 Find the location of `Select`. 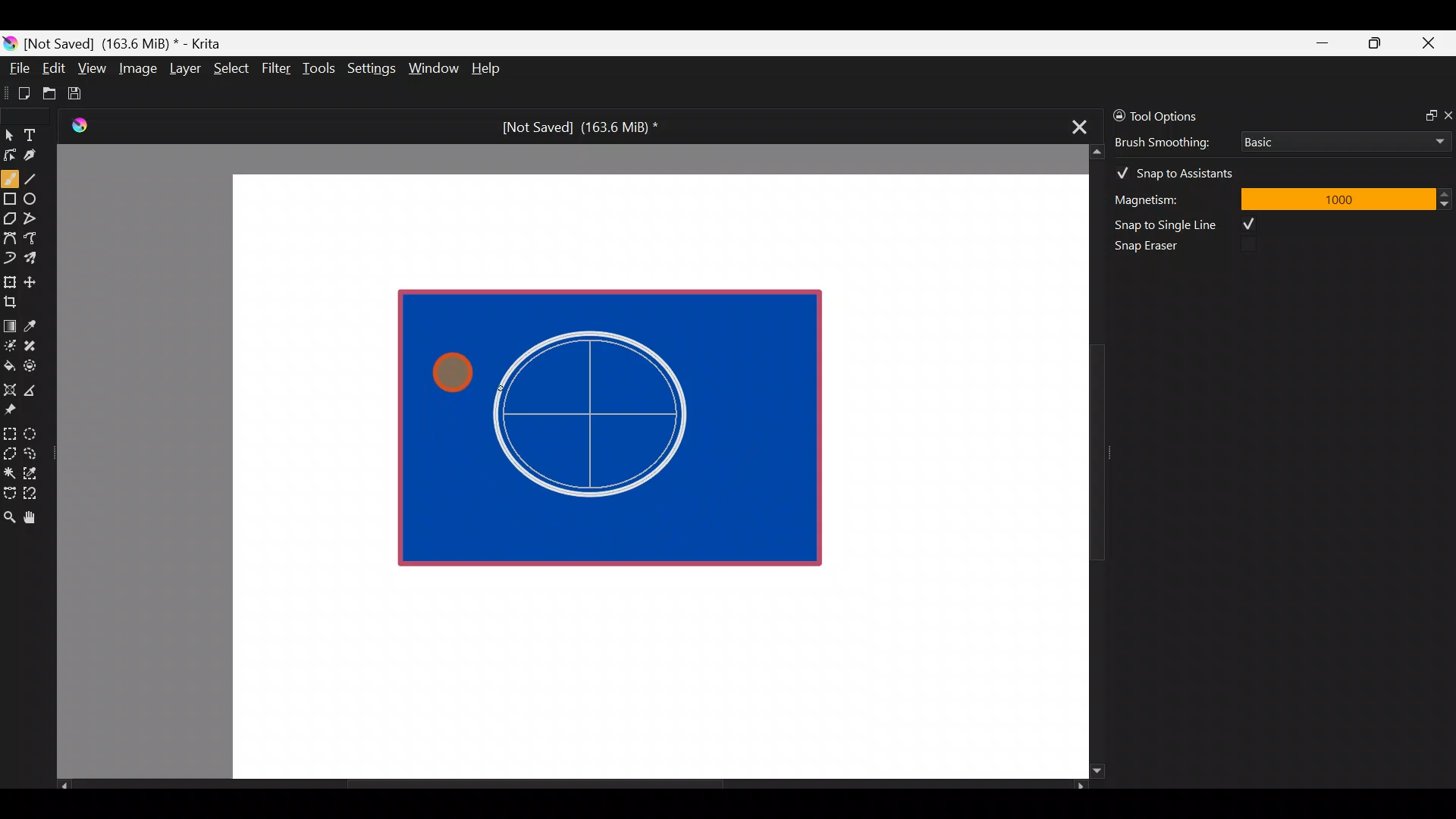

Select is located at coordinates (232, 67).